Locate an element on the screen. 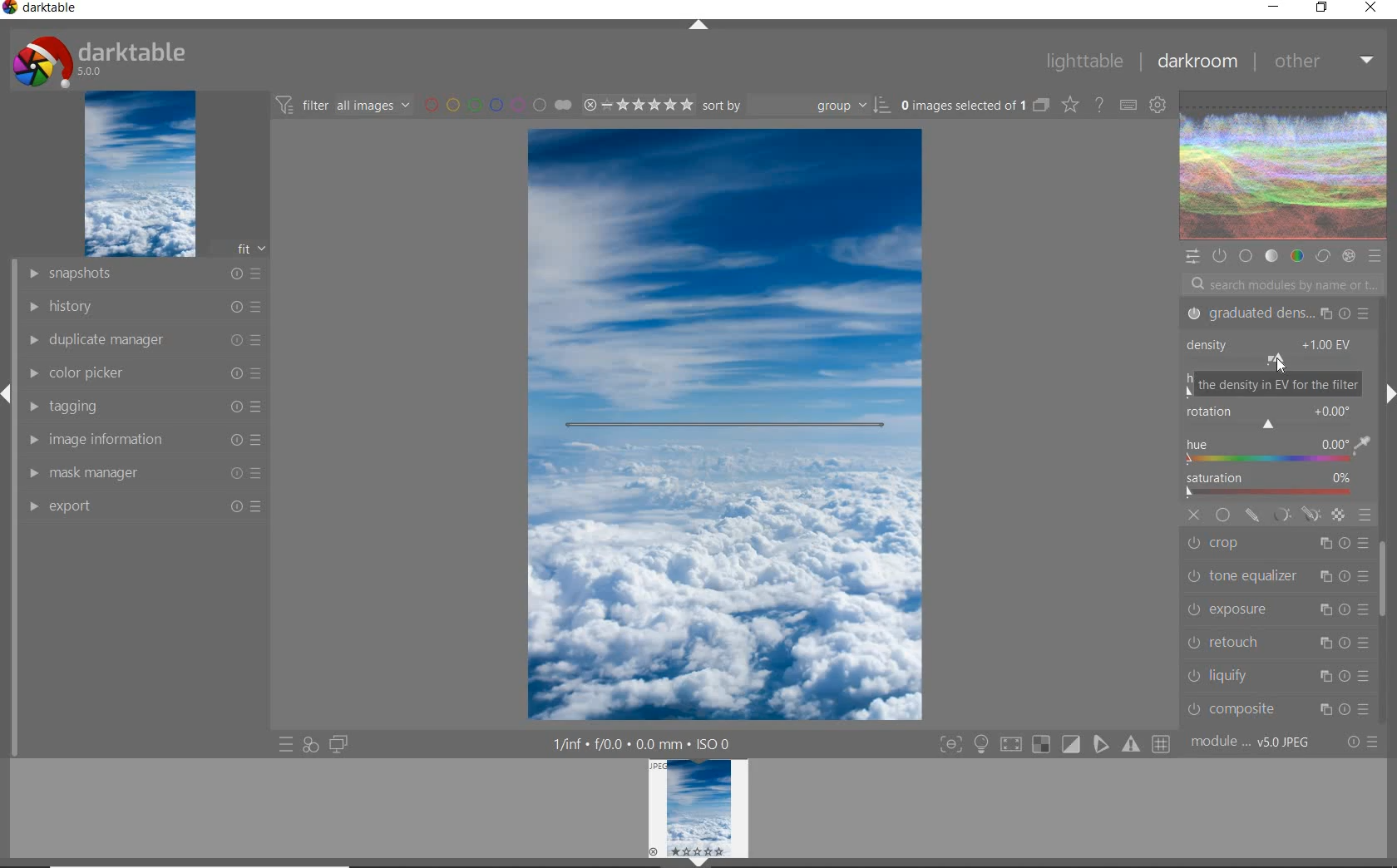  UNIFORMLY is located at coordinates (1222, 515).